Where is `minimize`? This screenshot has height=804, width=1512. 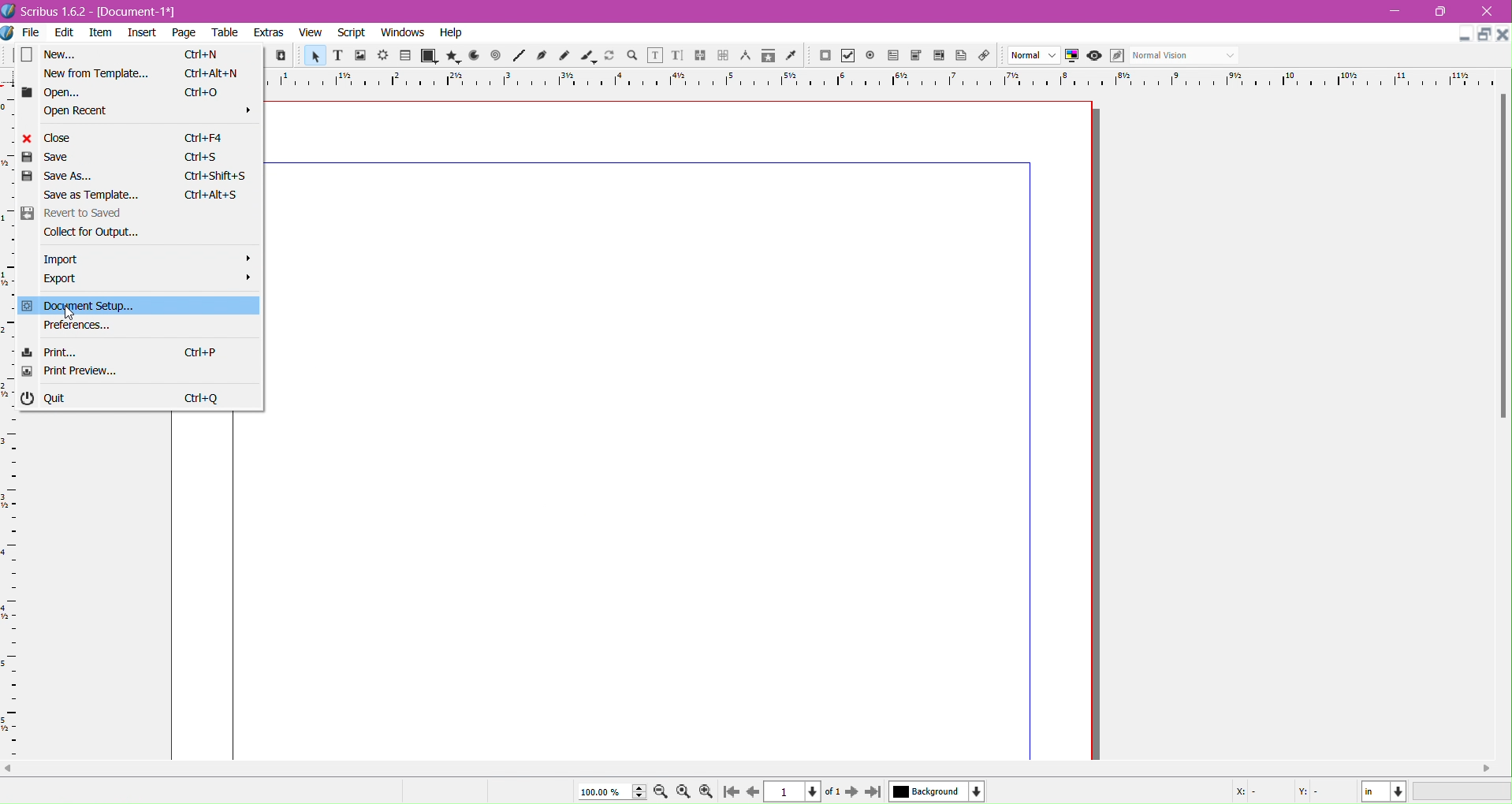
minimize is located at coordinates (1395, 12).